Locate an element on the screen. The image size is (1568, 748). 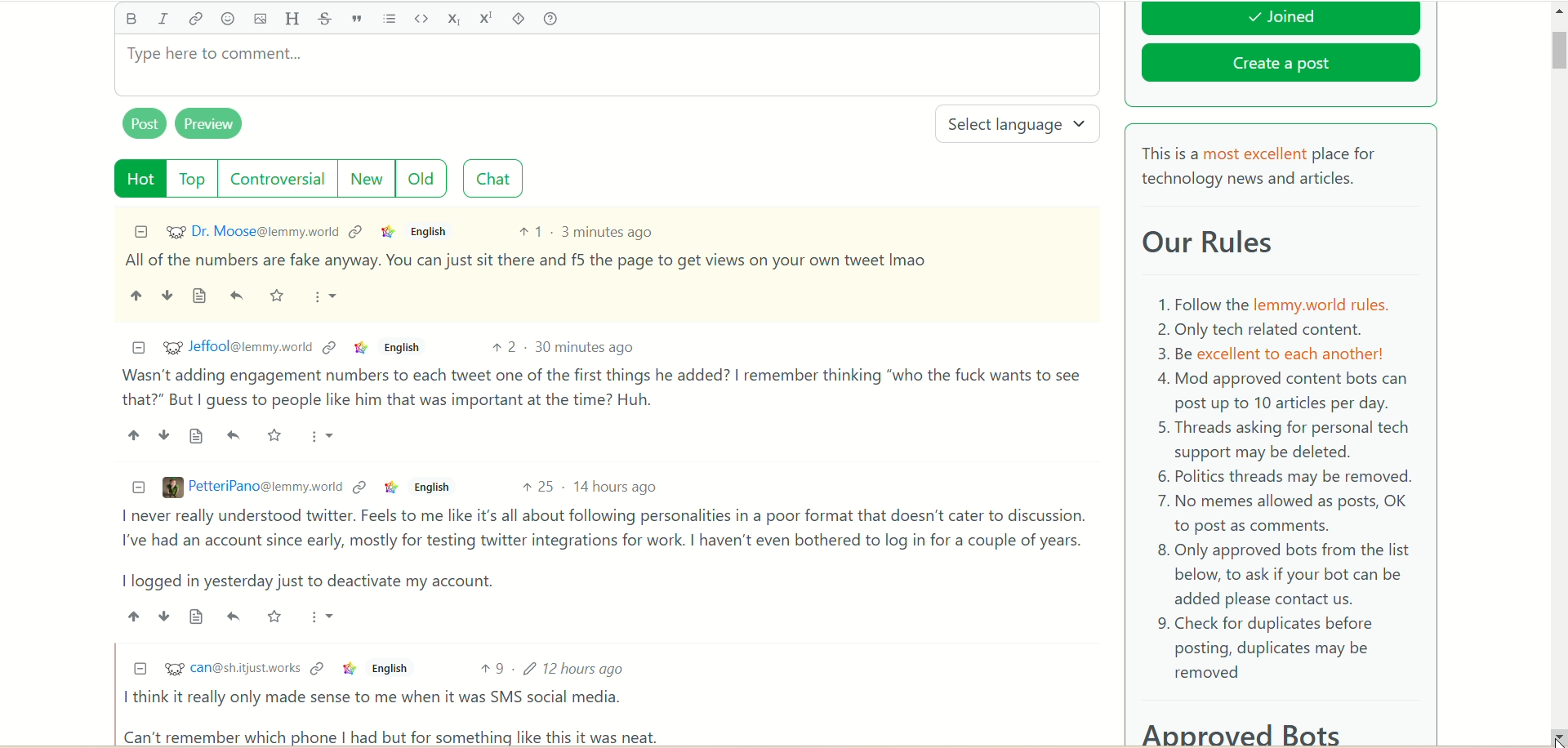
Source is located at coordinates (201, 296).